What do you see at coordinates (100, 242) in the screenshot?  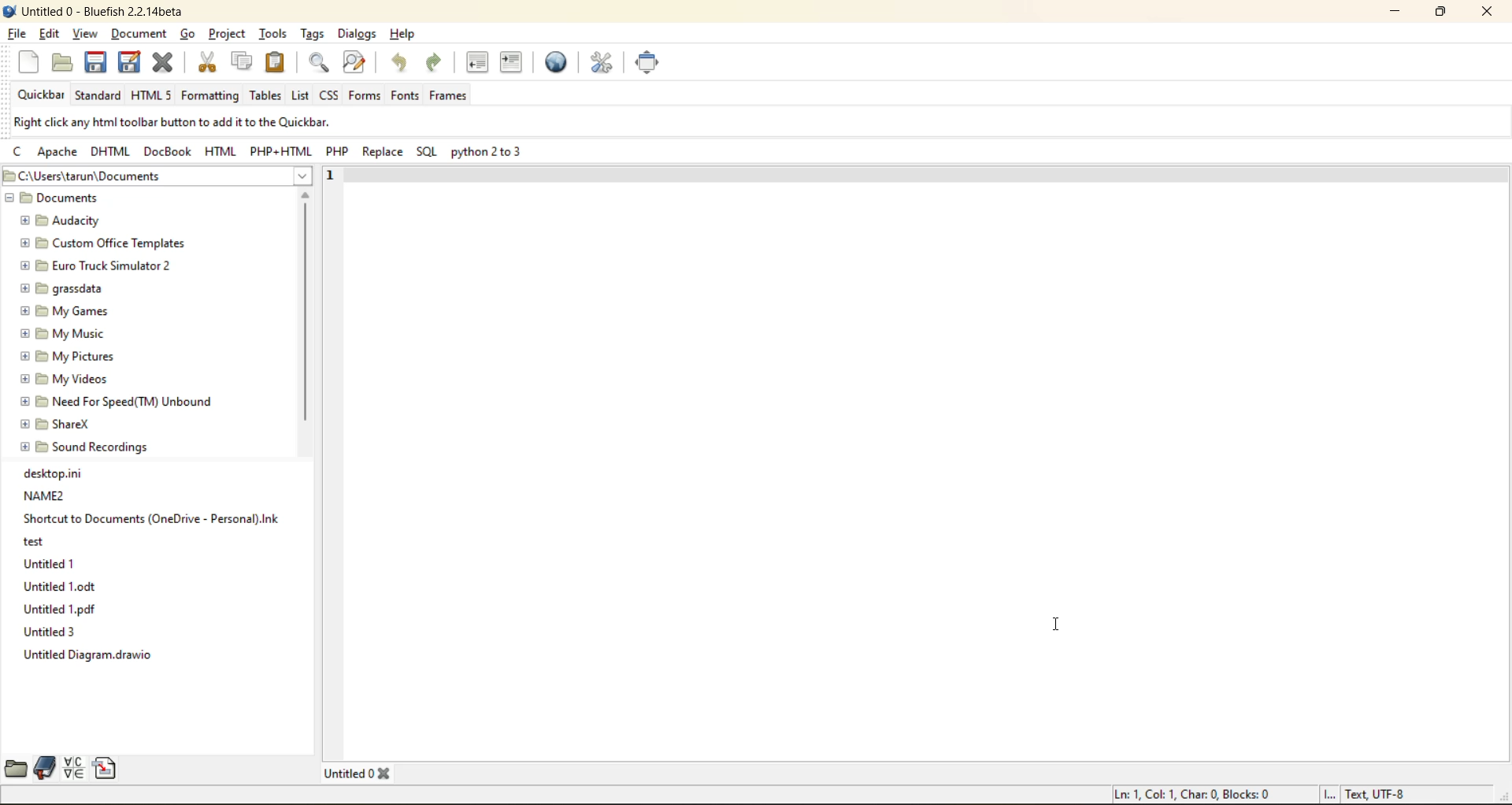 I see `[5 Custom Office Templates` at bounding box center [100, 242].